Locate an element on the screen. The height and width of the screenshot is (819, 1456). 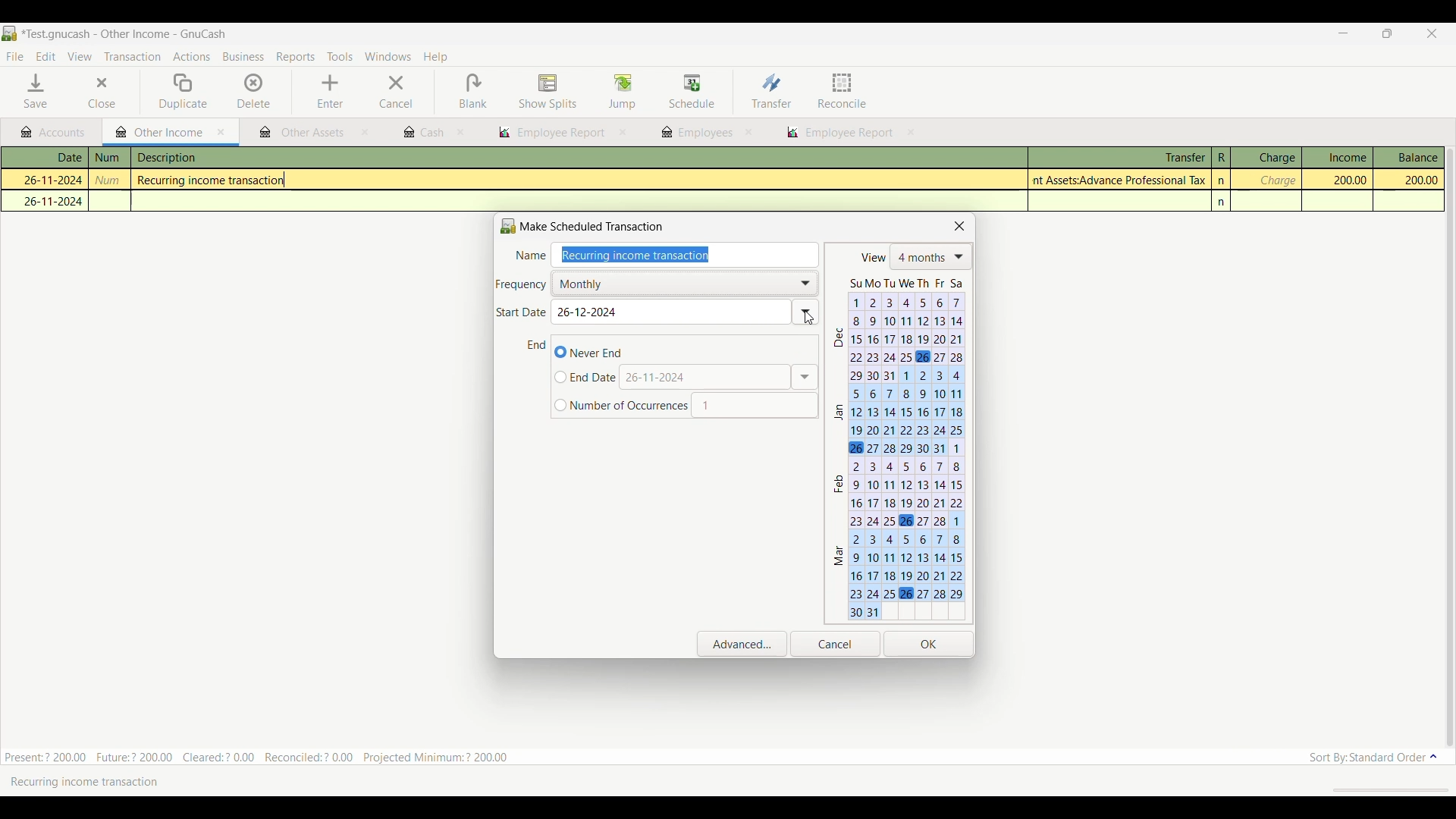
Software logo is located at coordinates (10, 33).